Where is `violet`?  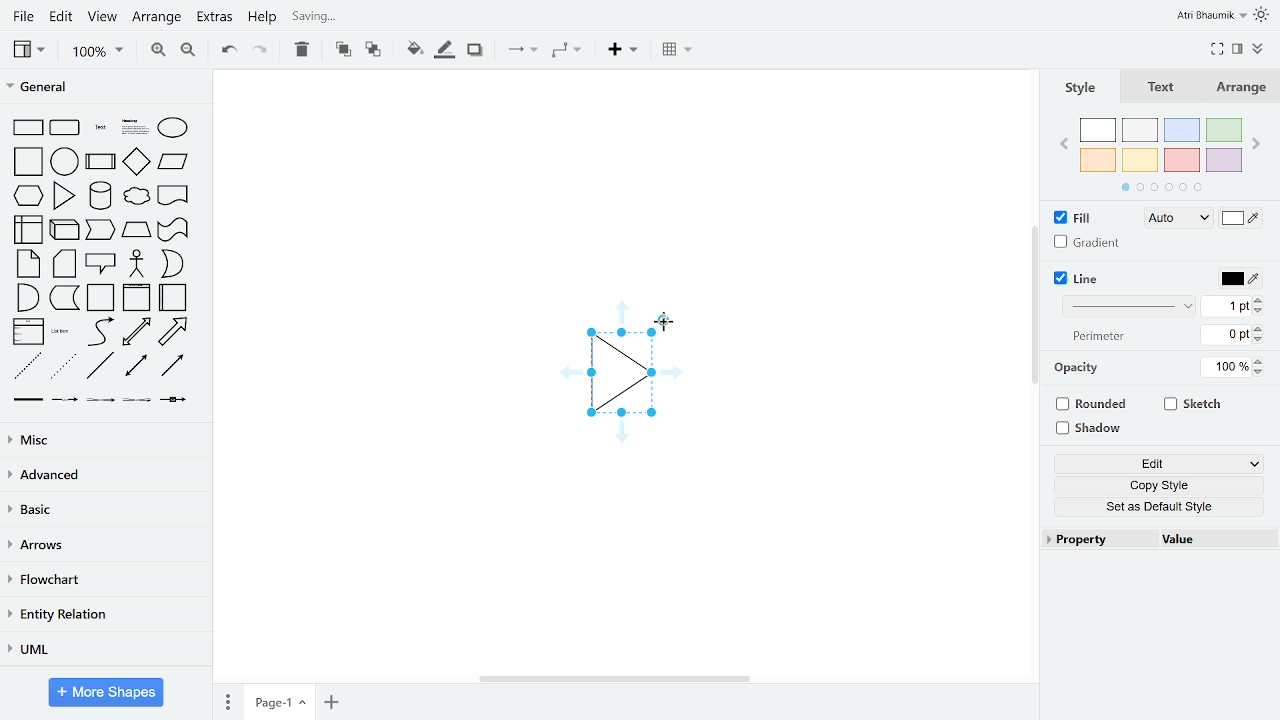 violet is located at coordinates (1225, 161).